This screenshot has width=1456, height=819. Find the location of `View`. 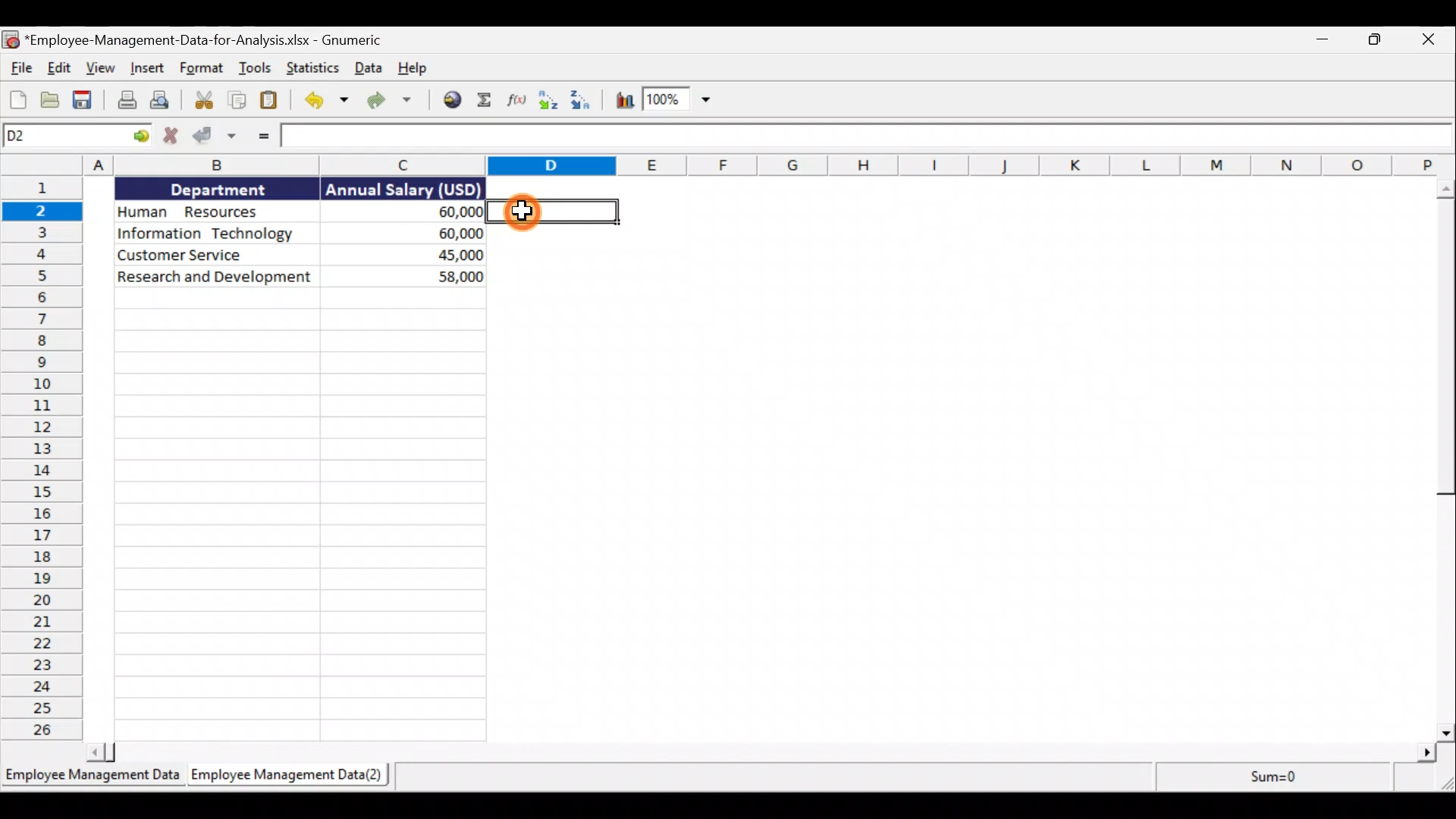

View is located at coordinates (99, 71).